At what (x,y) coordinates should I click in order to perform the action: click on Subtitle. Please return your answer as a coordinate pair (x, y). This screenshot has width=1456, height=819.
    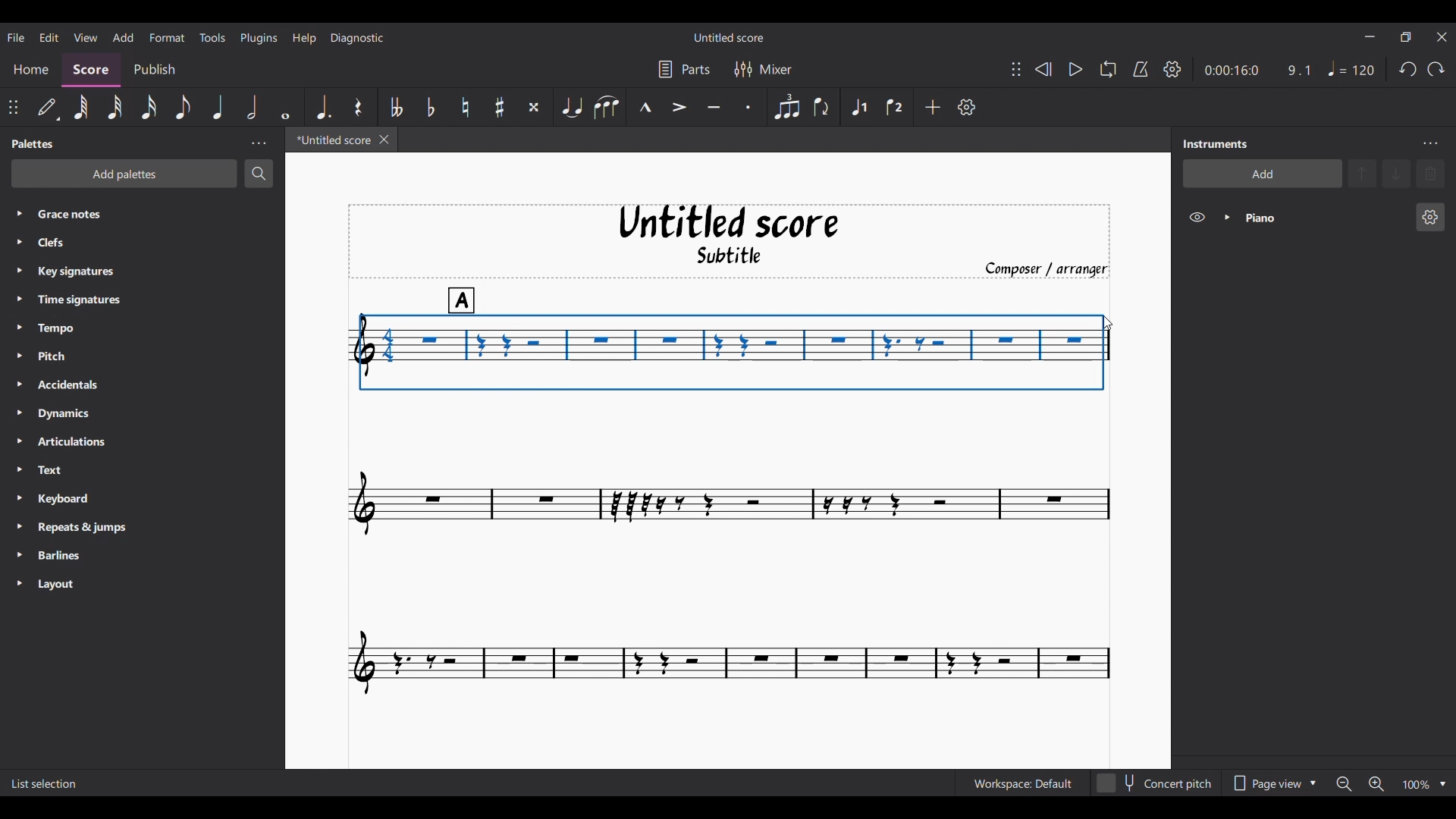
    Looking at the image, I should click on (745, 255).